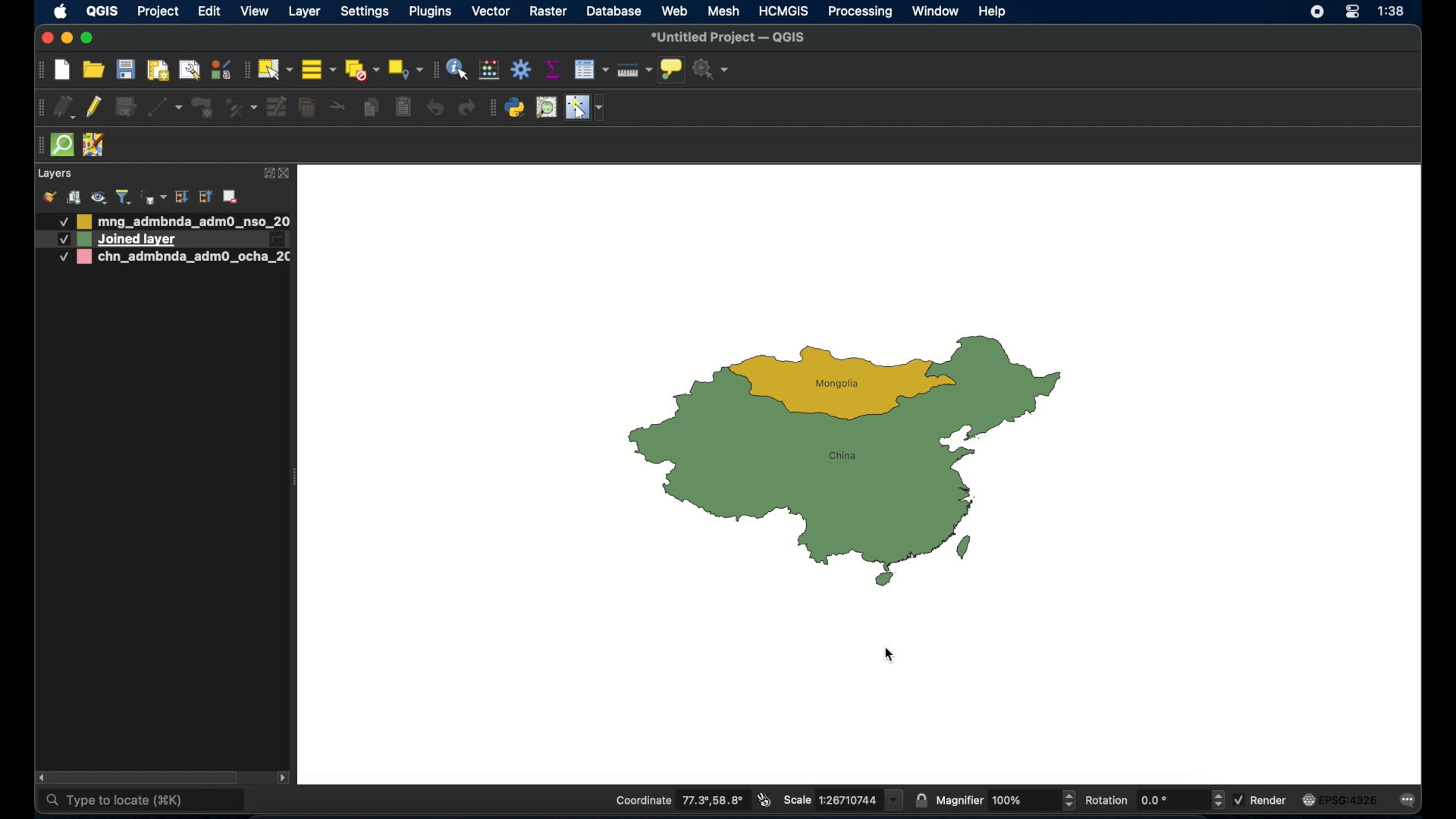 This screenshot has width=1456, height=819. What do you see at coordinates (318, 69) in the screenshot?
I see `select all features` at bounding box center [318, 69].